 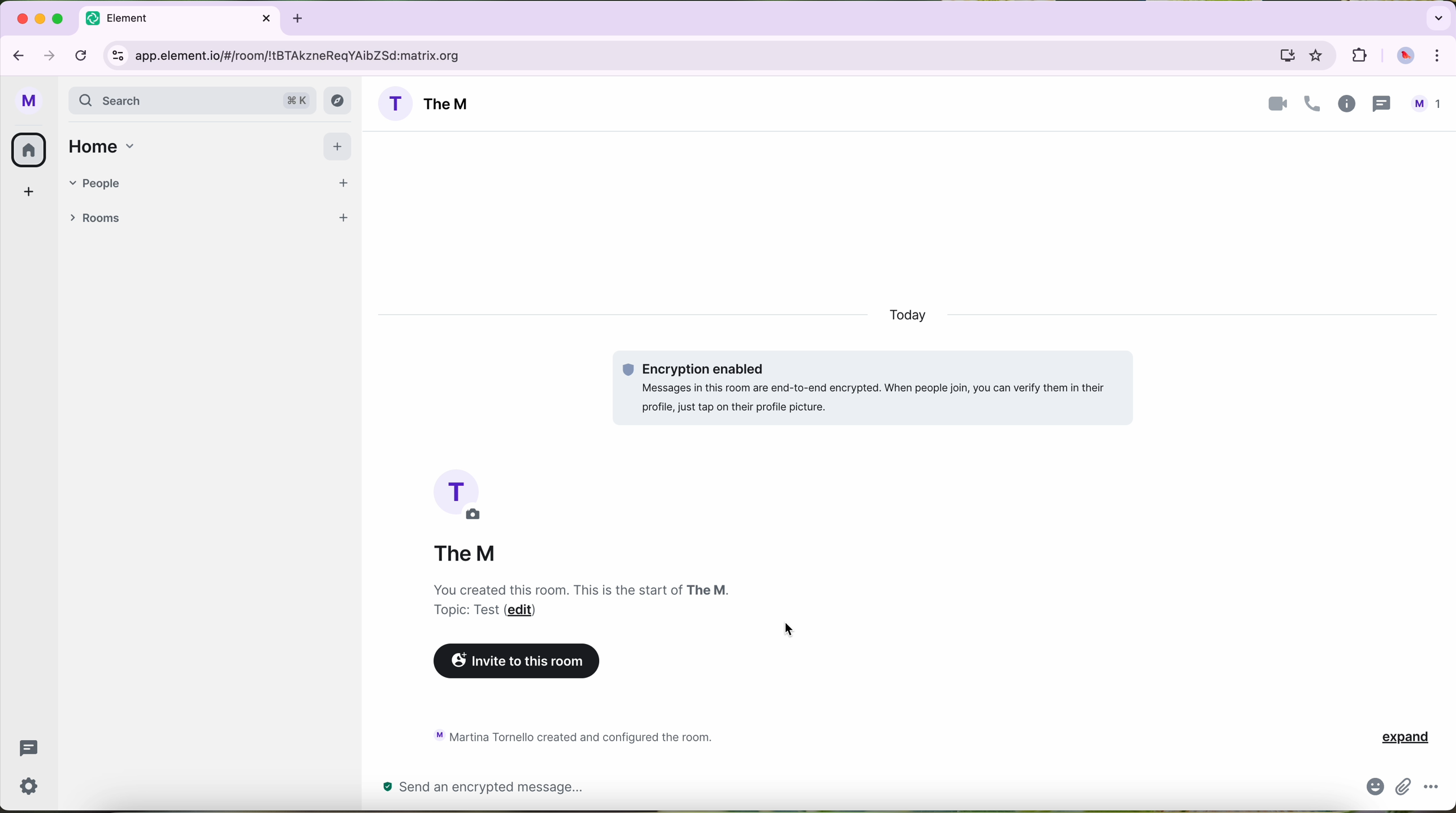 What do you see at coordinates (578, 733) in the screenshot?
I see `activity chat` at bounding box center [578, 733].